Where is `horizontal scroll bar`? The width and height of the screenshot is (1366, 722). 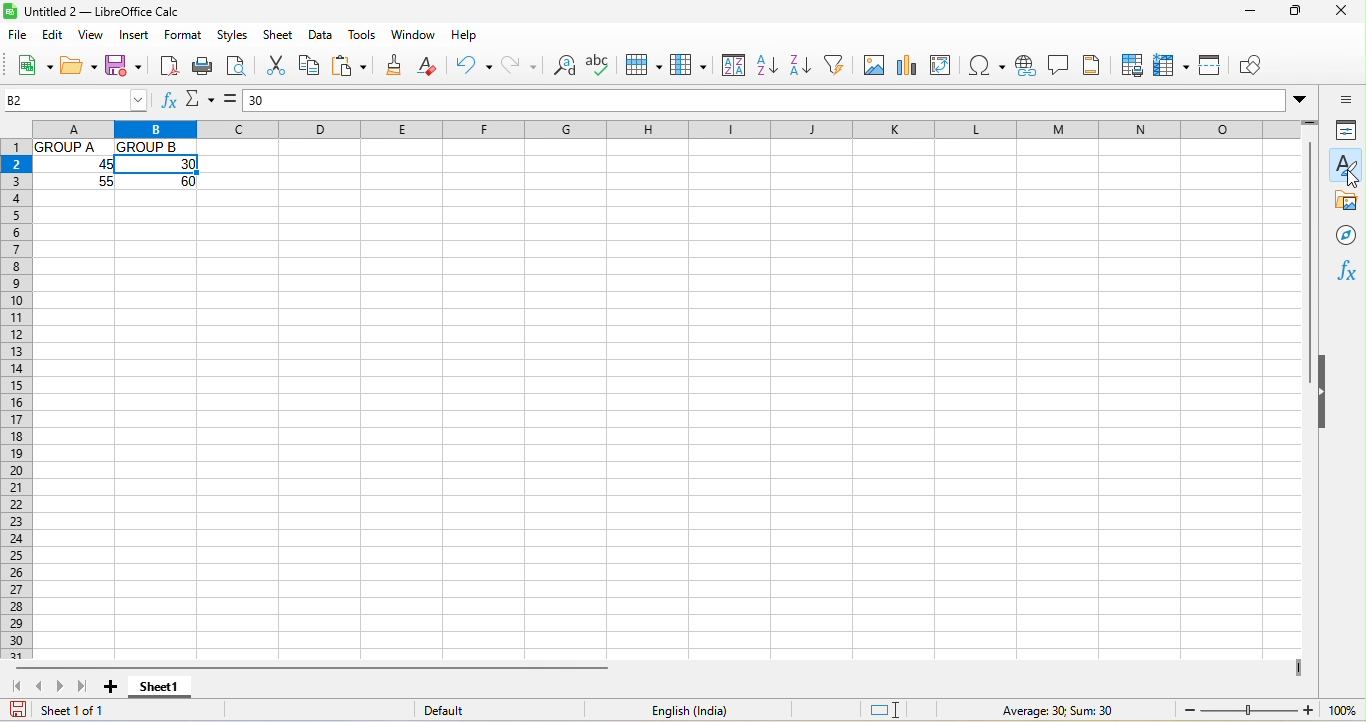
horizontal scroll bar is located at coordinates (310, 667).